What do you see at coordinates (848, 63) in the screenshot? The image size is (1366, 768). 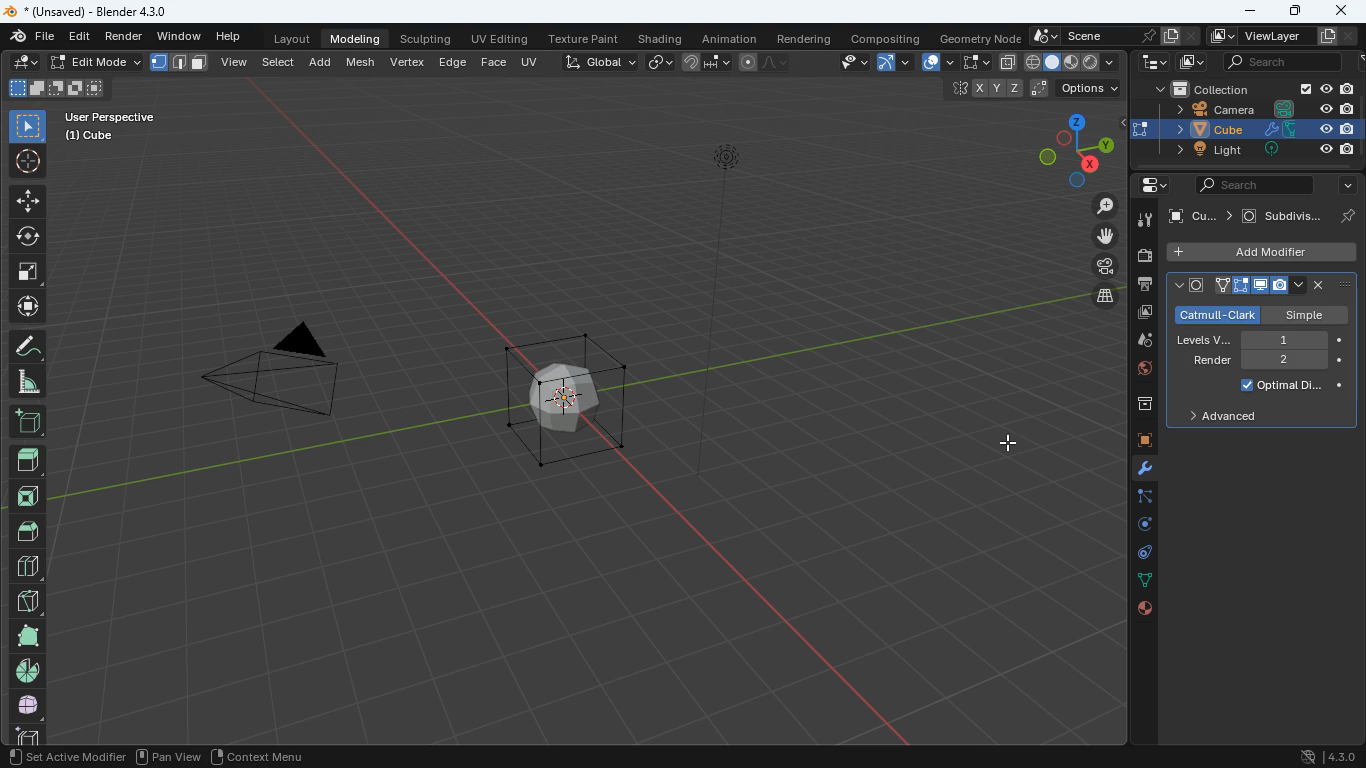 I see `view` at bounding box center [848, 63].